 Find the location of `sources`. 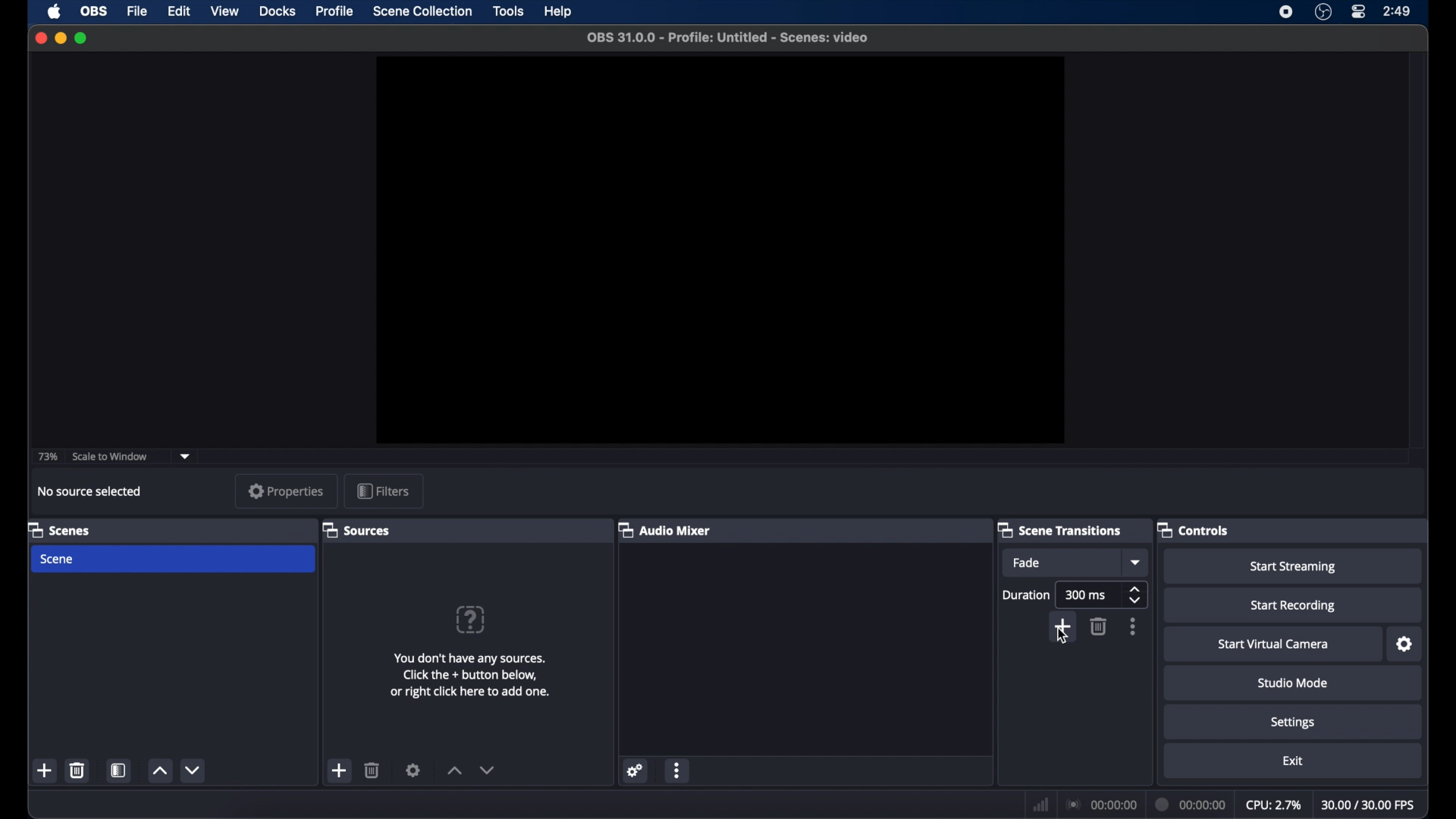

sources is located at coordinates (356, 531).